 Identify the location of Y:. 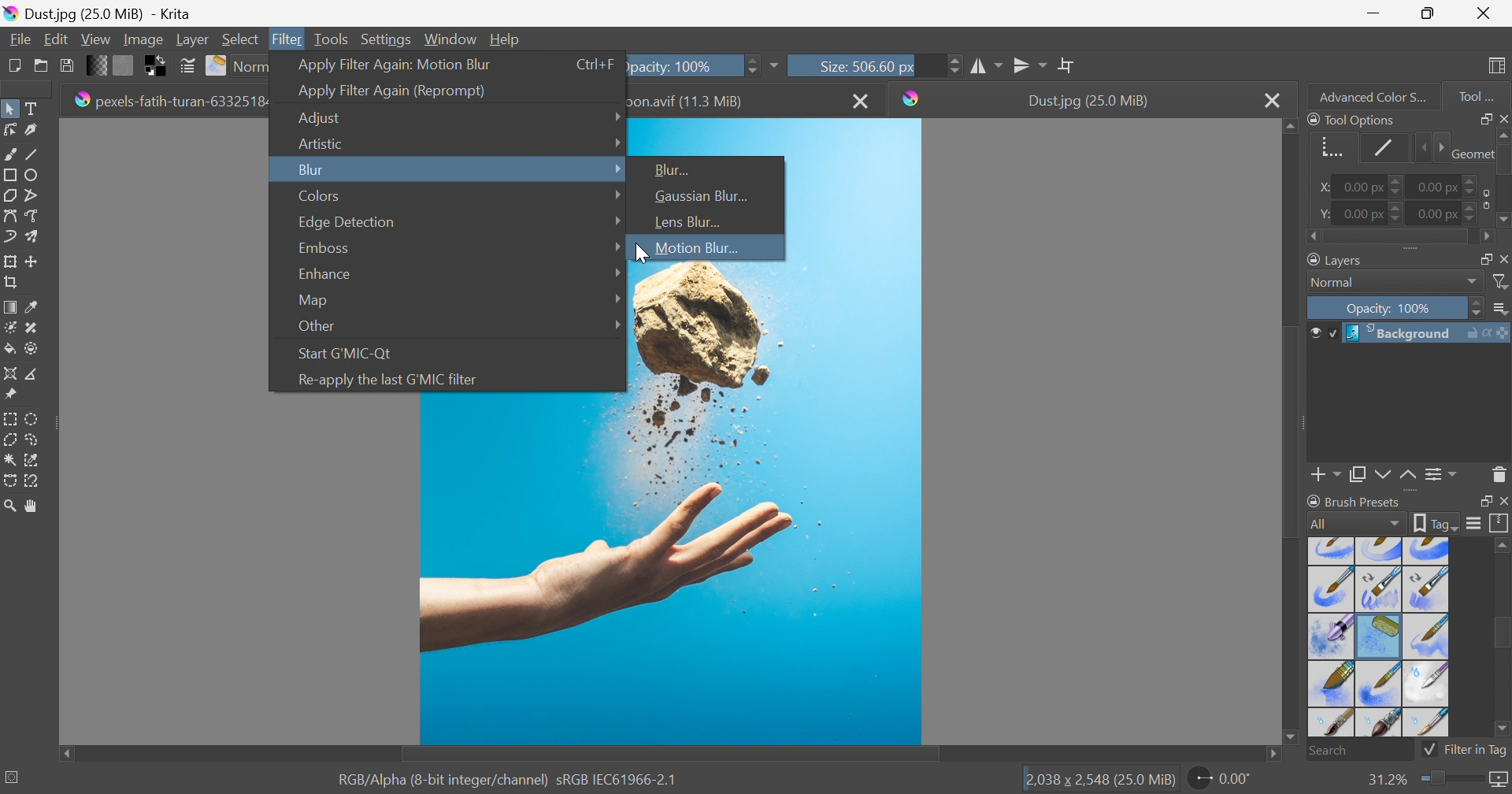
(1322, 213).